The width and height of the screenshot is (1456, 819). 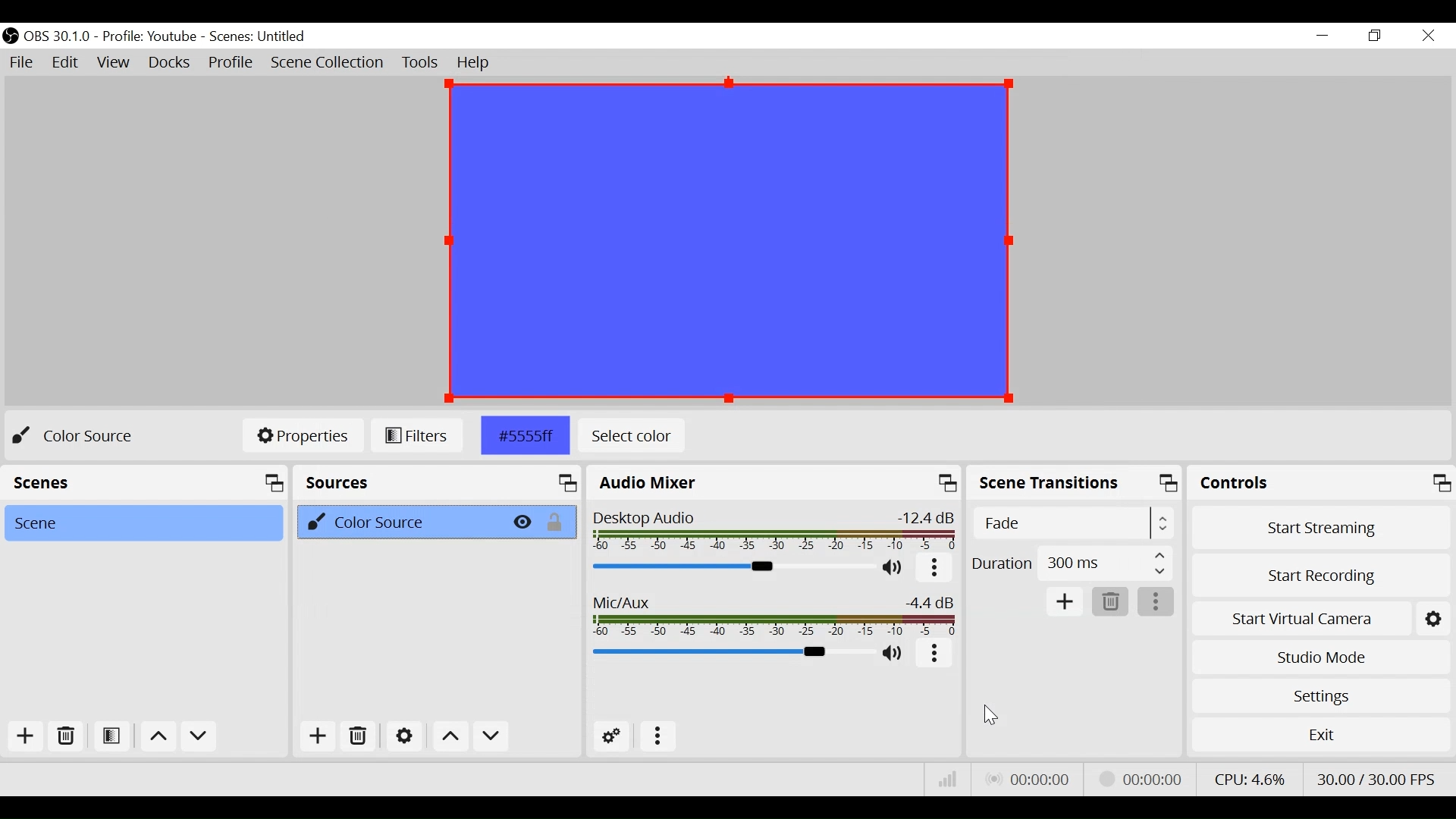 I want to click on Color Source, so click(x=402, y=523).